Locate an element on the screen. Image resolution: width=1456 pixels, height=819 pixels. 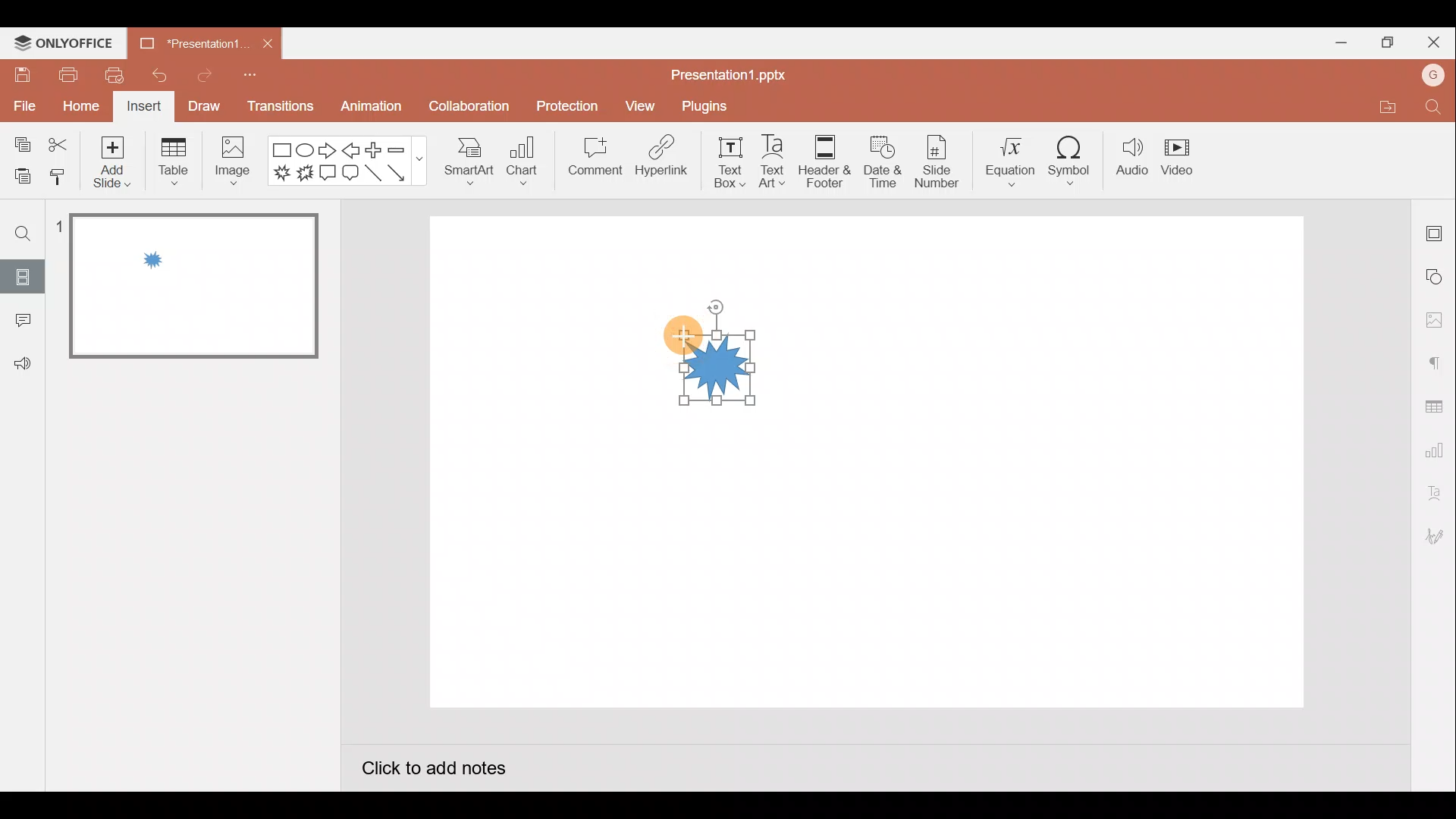
Header & footer is located at coordinates (824, 162).